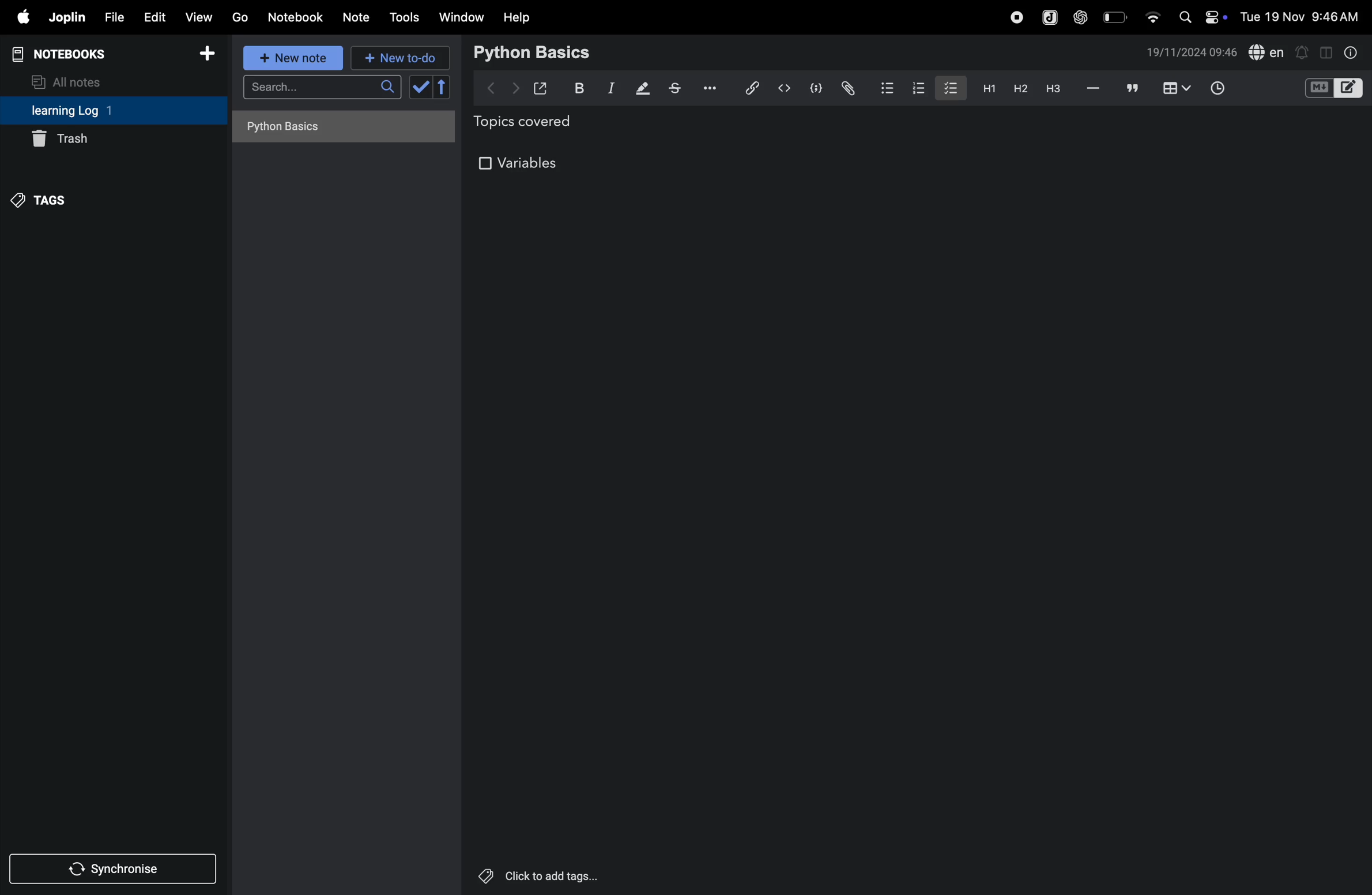  I want to click on open, so click(541, 88).